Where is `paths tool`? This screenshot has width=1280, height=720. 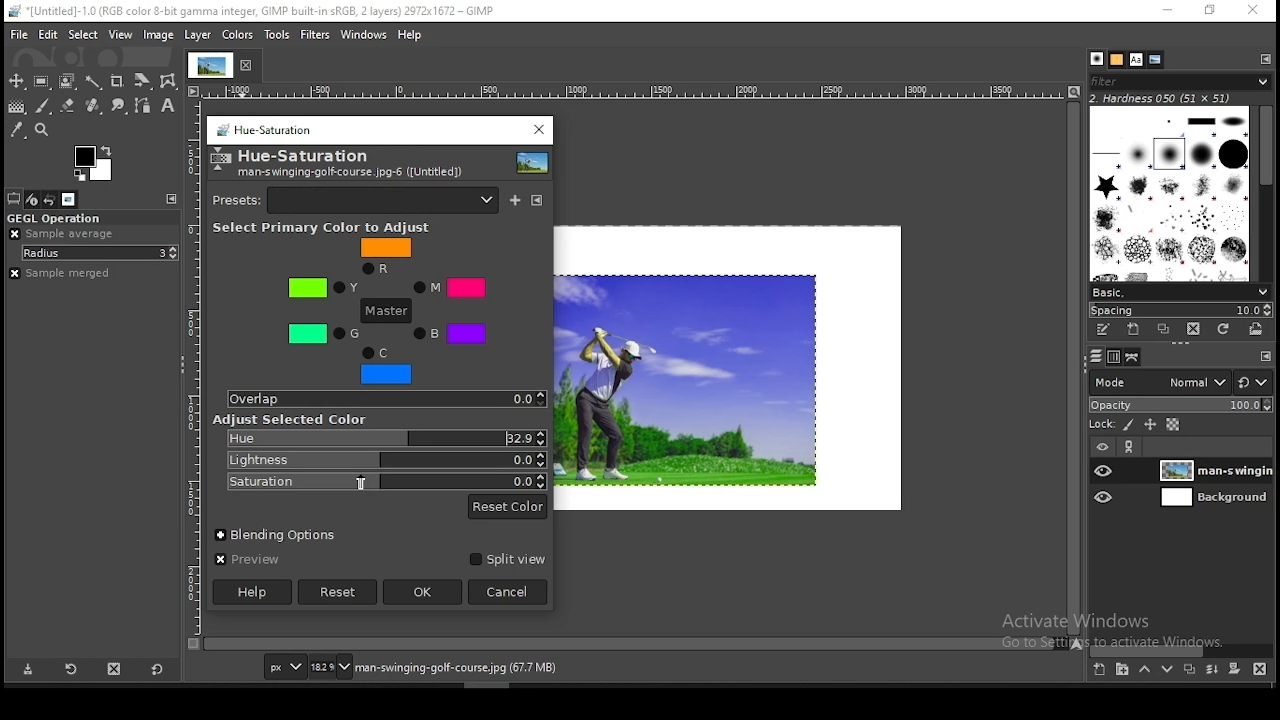
paths tool is located at coordinates (146, 109).